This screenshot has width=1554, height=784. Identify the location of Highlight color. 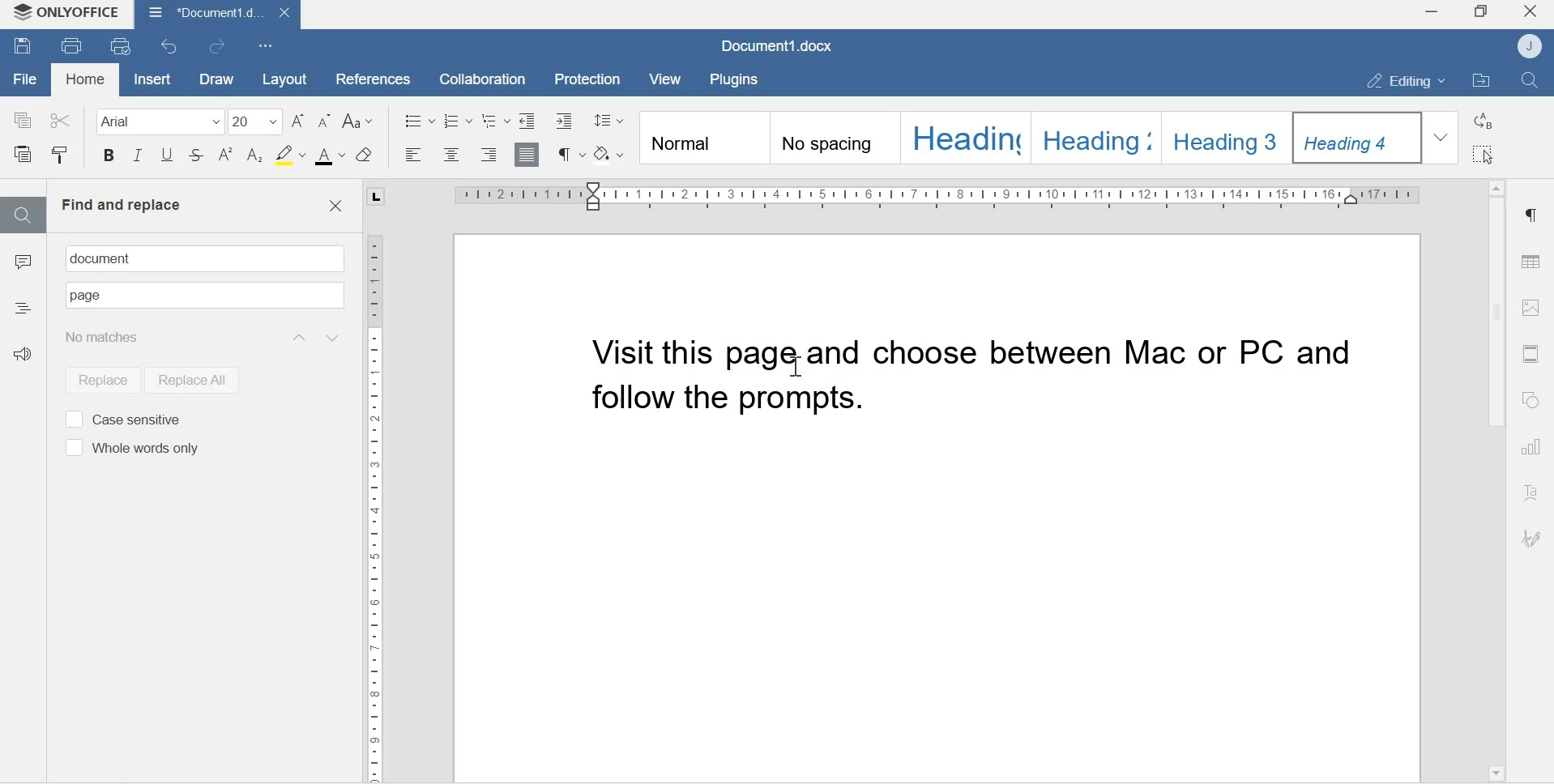
(289, 154).